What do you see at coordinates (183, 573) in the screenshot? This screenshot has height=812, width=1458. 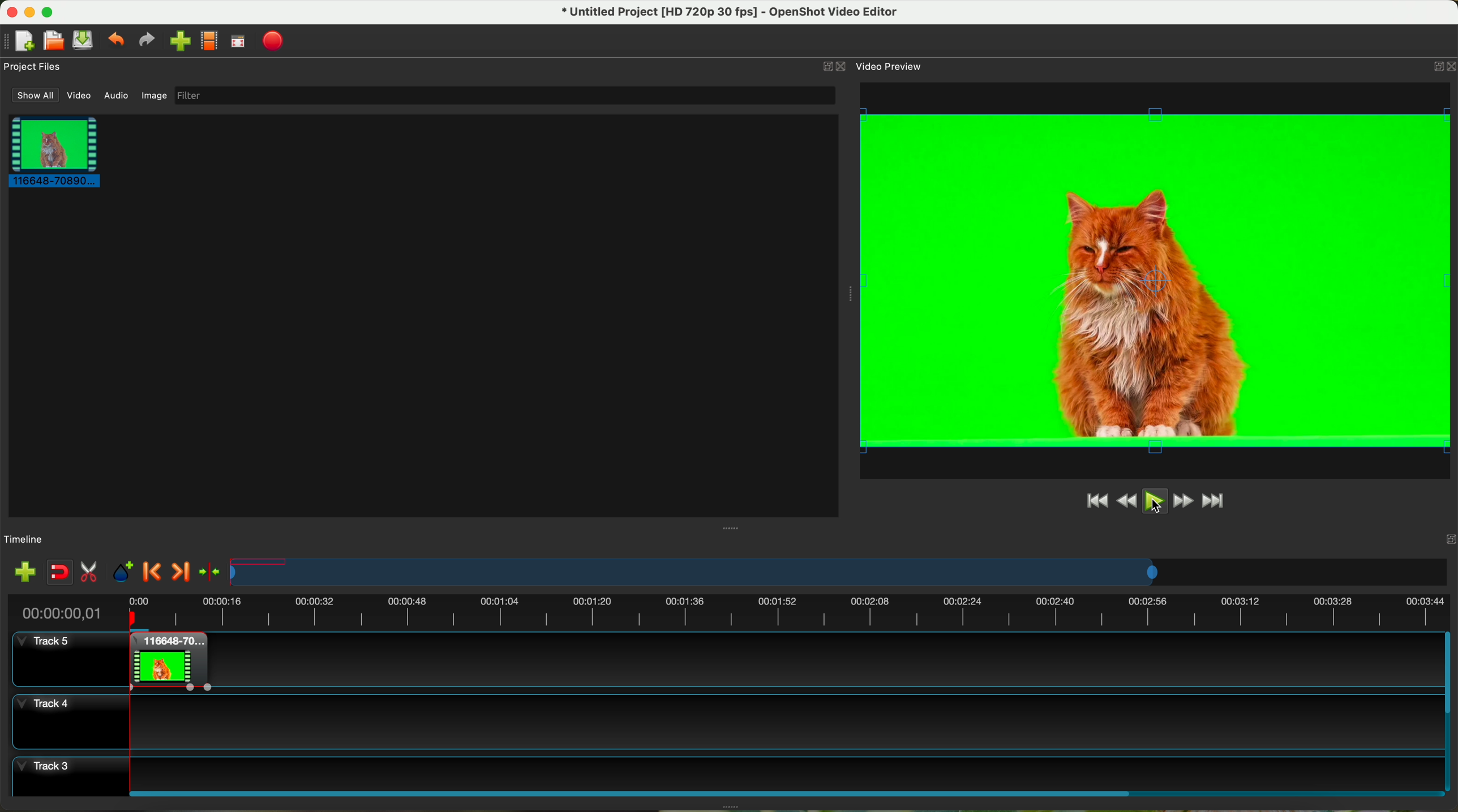 I see `next marker` at bounding box center [183, 573].